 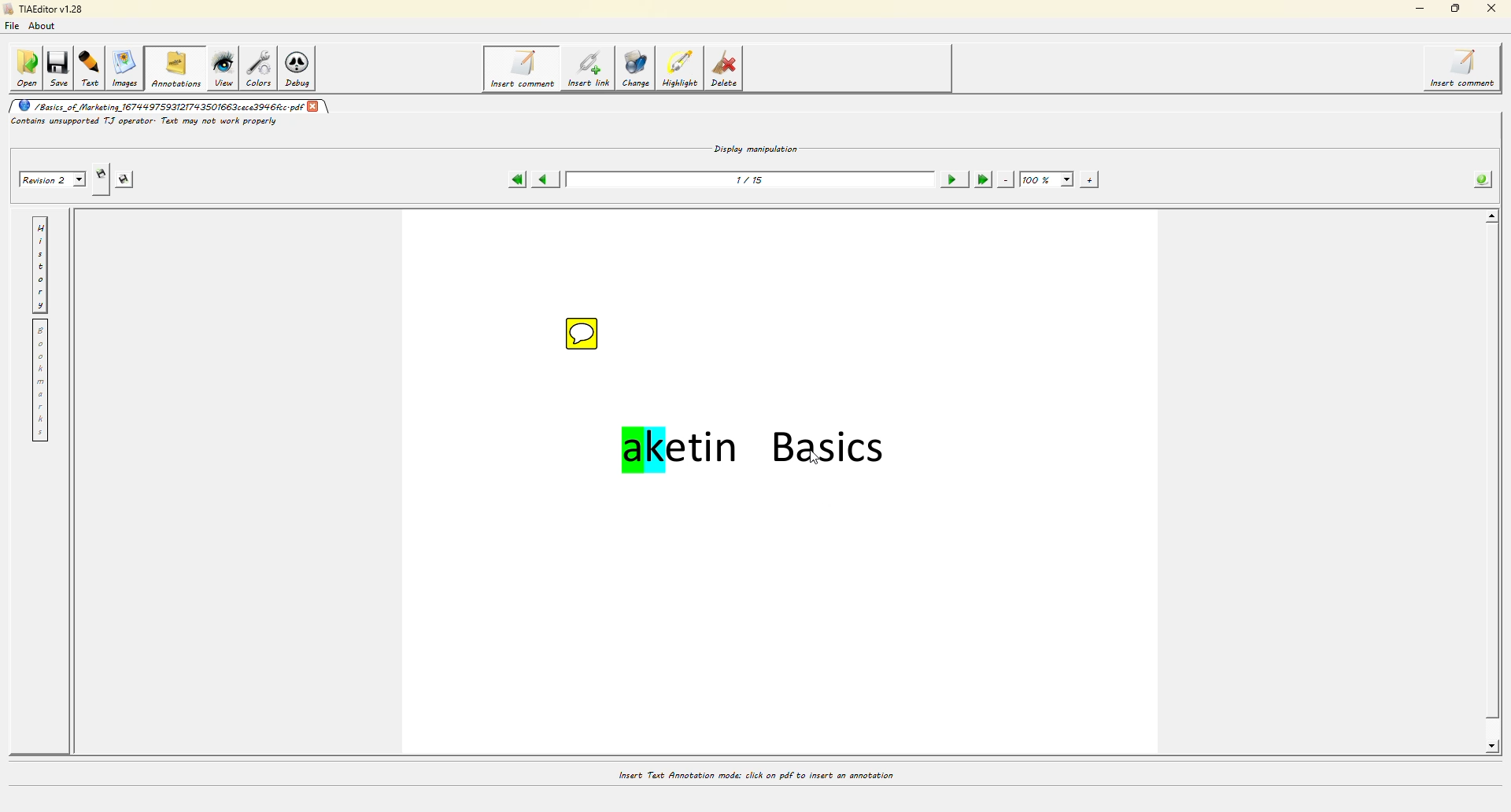 What do you see at coordinates (755, 775) in the screenshot?
I see `Insert Text Annotation mode: click on pdf to insert an annotation` at bounding box center [755, 775].